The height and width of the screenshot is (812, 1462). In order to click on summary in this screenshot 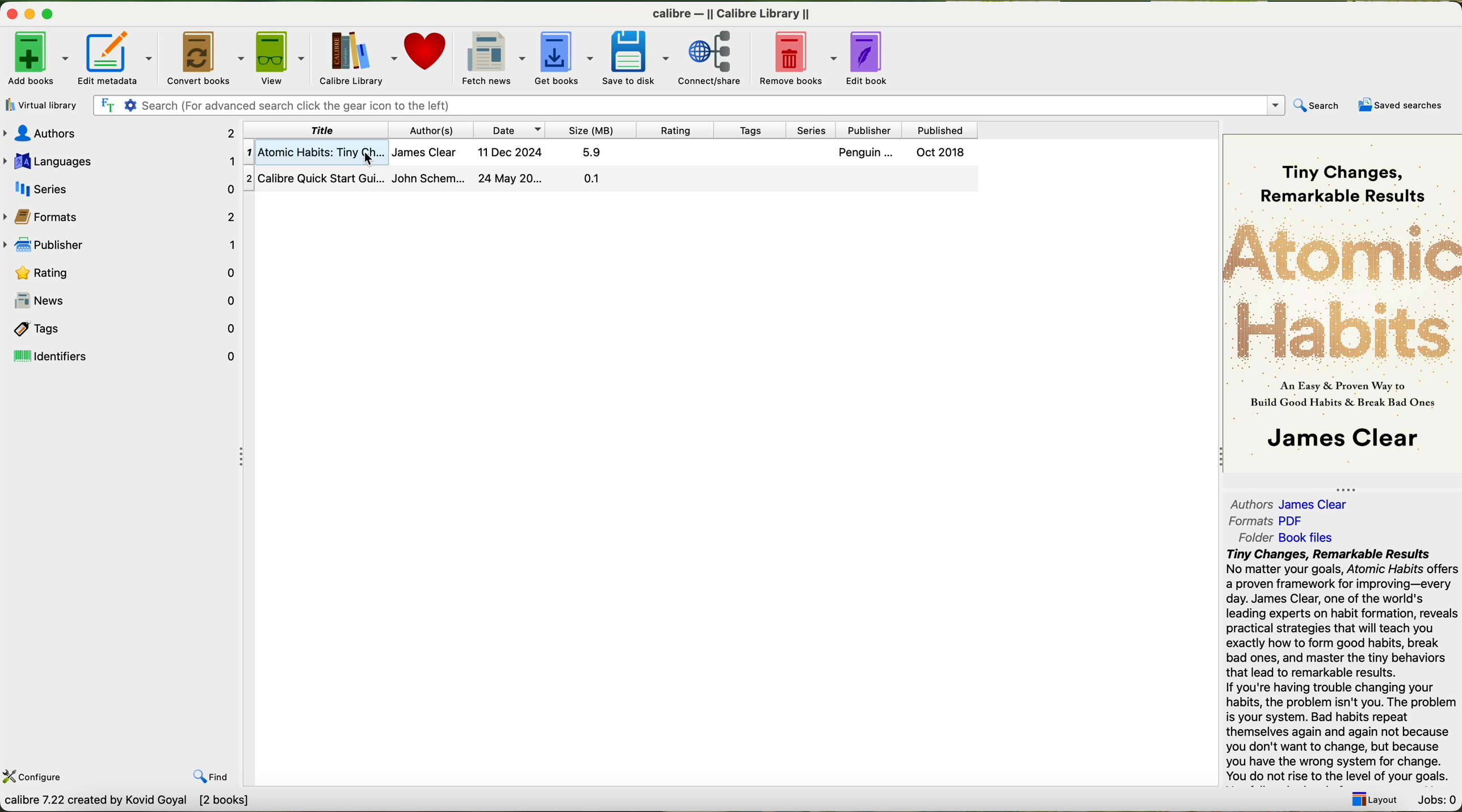, I will do `click(1342, 667)`.